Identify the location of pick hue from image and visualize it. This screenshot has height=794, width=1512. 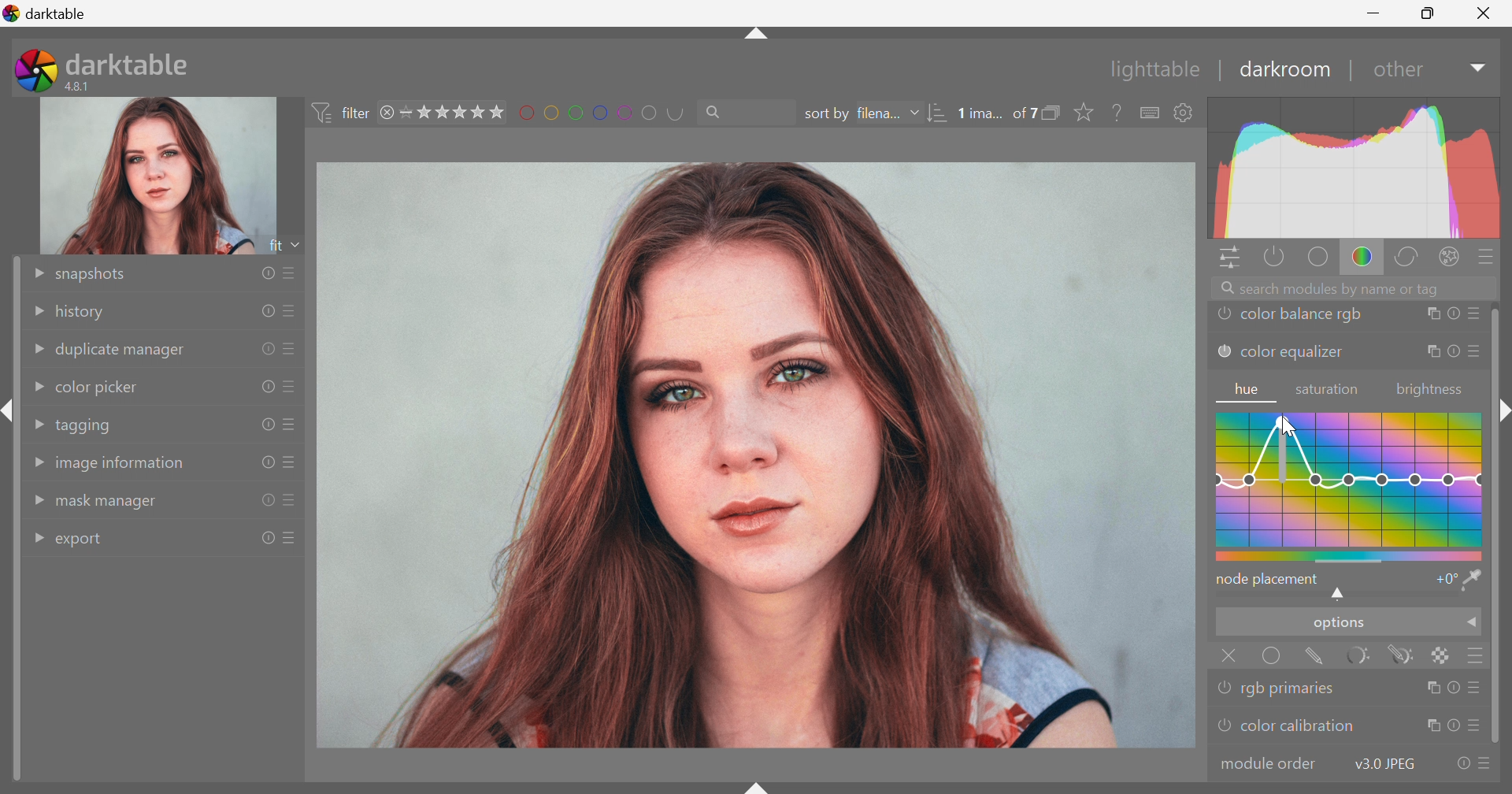
(1473, 580).